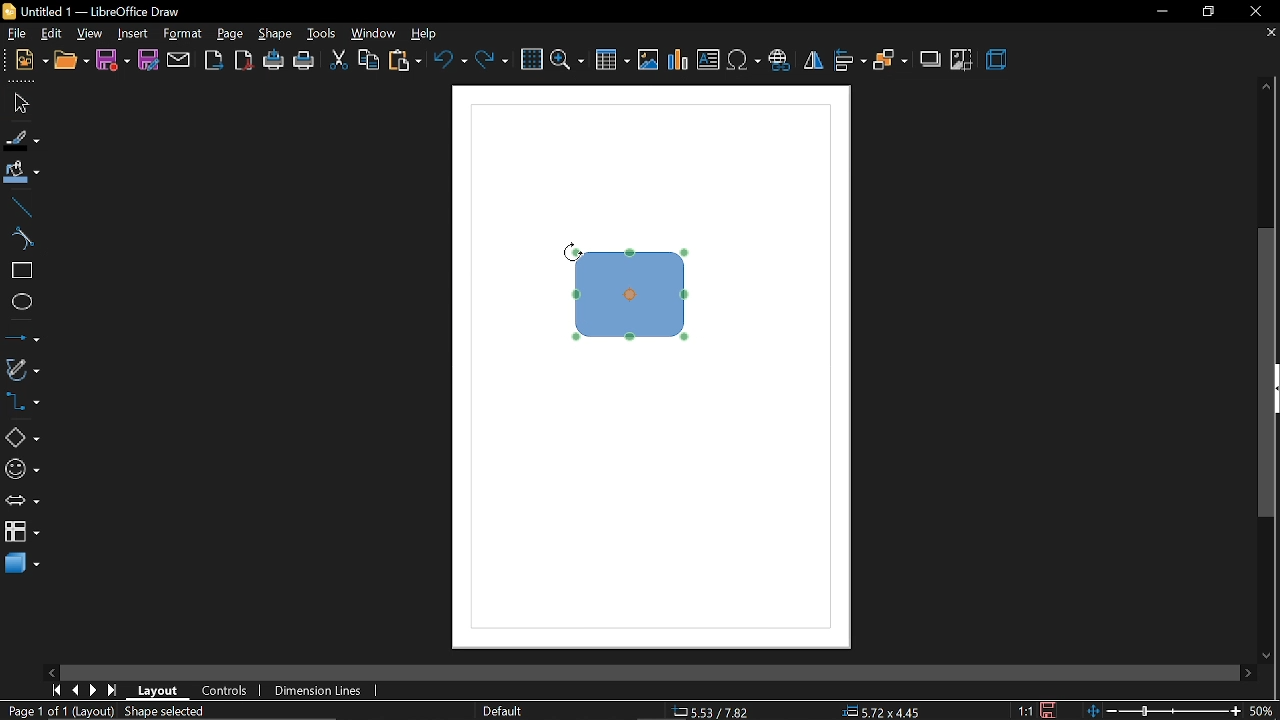  Describe the element at coordinates (133, 35) in the screenshot. I see `insert` at that location.